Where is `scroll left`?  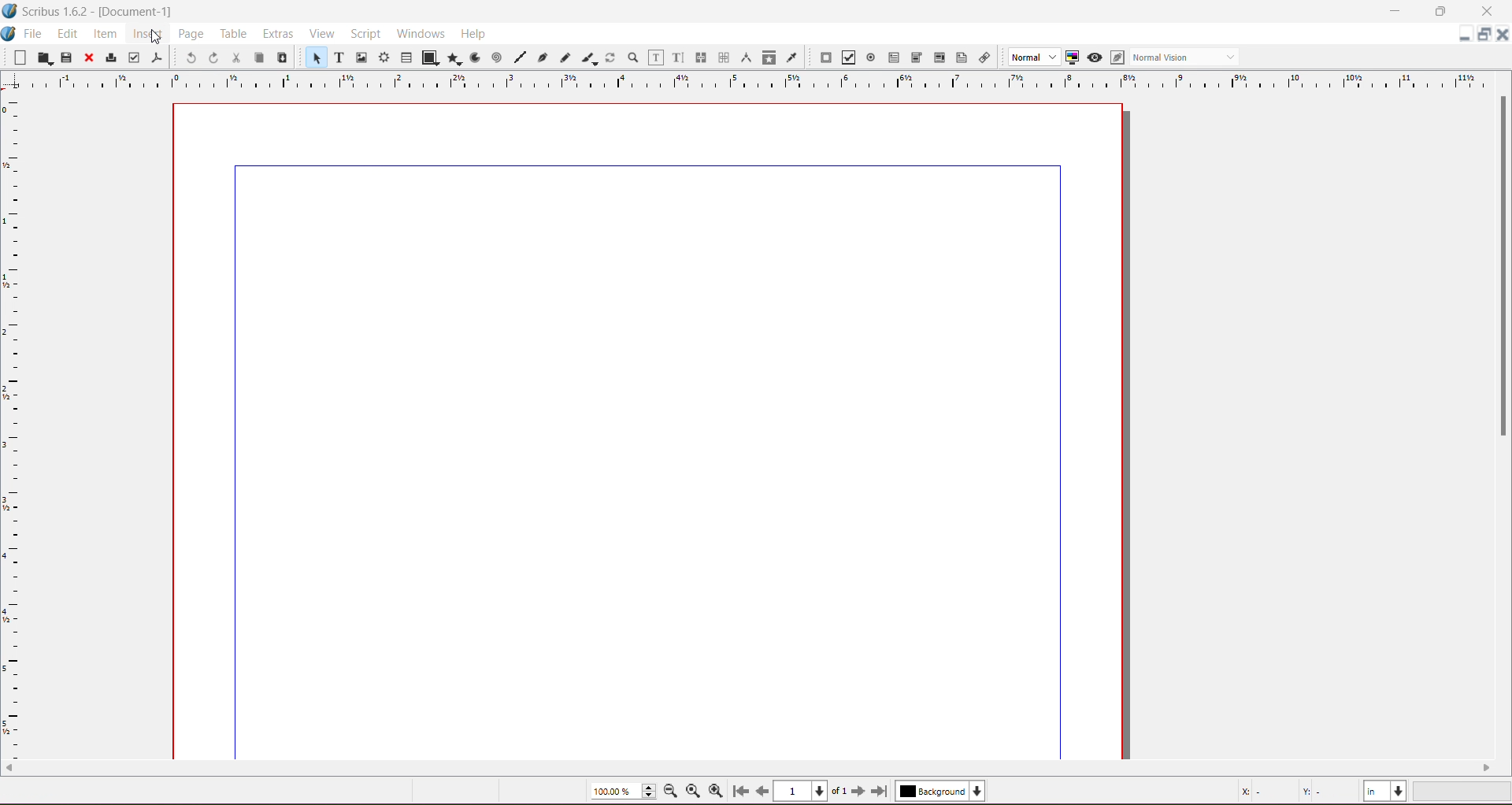 scroll left is located at coordinates (11, 770).